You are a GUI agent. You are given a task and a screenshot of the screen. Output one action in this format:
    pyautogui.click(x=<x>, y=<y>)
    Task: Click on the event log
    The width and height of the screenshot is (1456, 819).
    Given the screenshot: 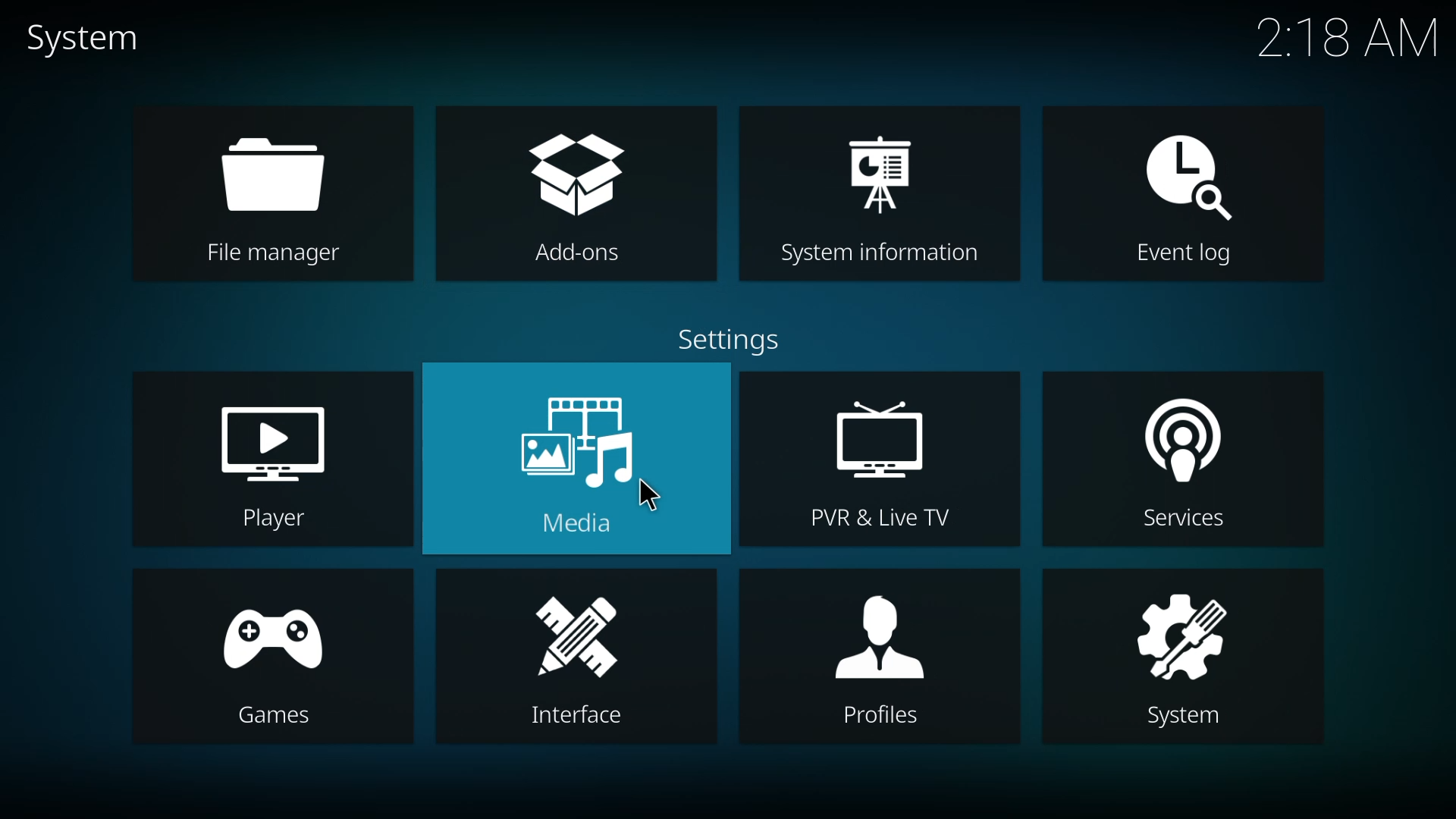 What is the action you would take?
    pyautogui.click(x=1192, y=196)
    